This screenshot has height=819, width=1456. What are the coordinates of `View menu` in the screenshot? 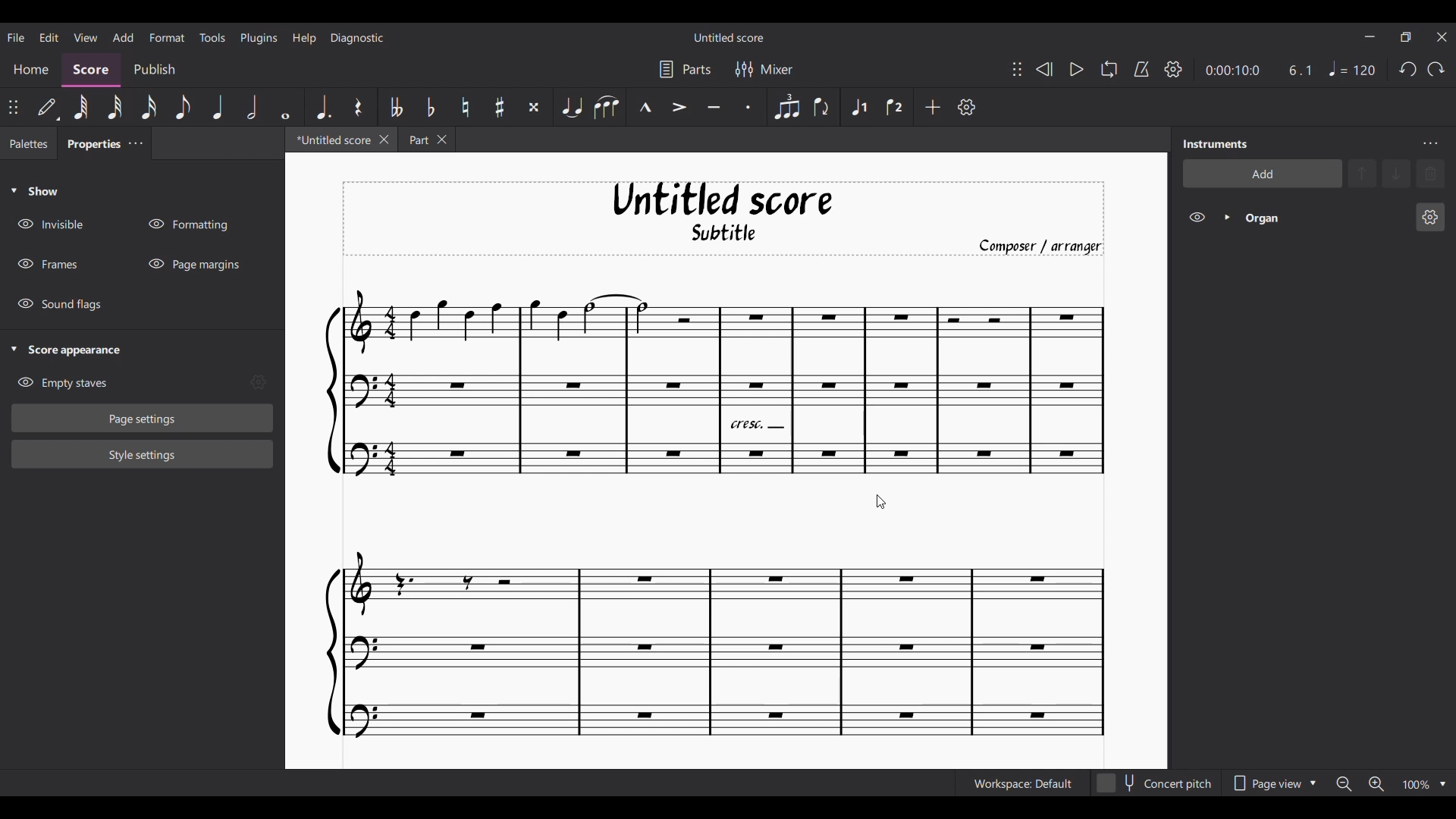 It's located at (86, 37).